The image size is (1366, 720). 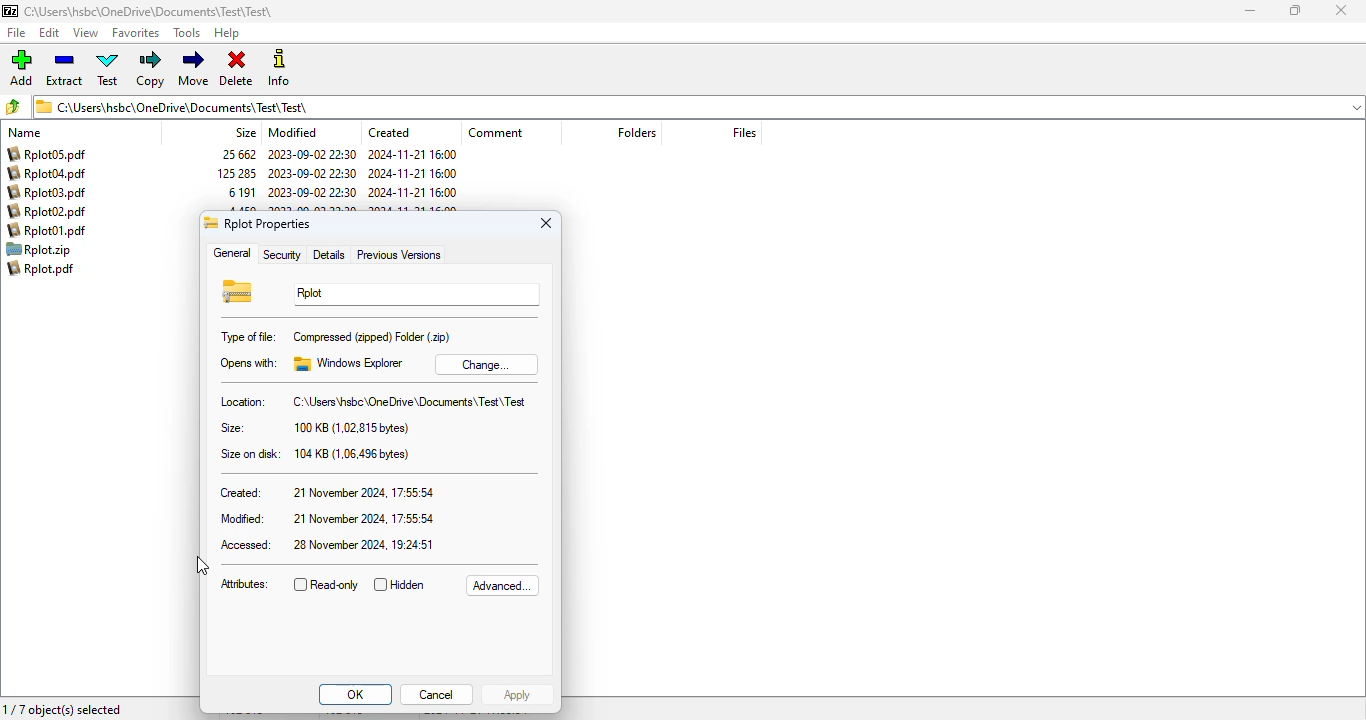 I want to click on Rplot, so click(x=413, y=294).